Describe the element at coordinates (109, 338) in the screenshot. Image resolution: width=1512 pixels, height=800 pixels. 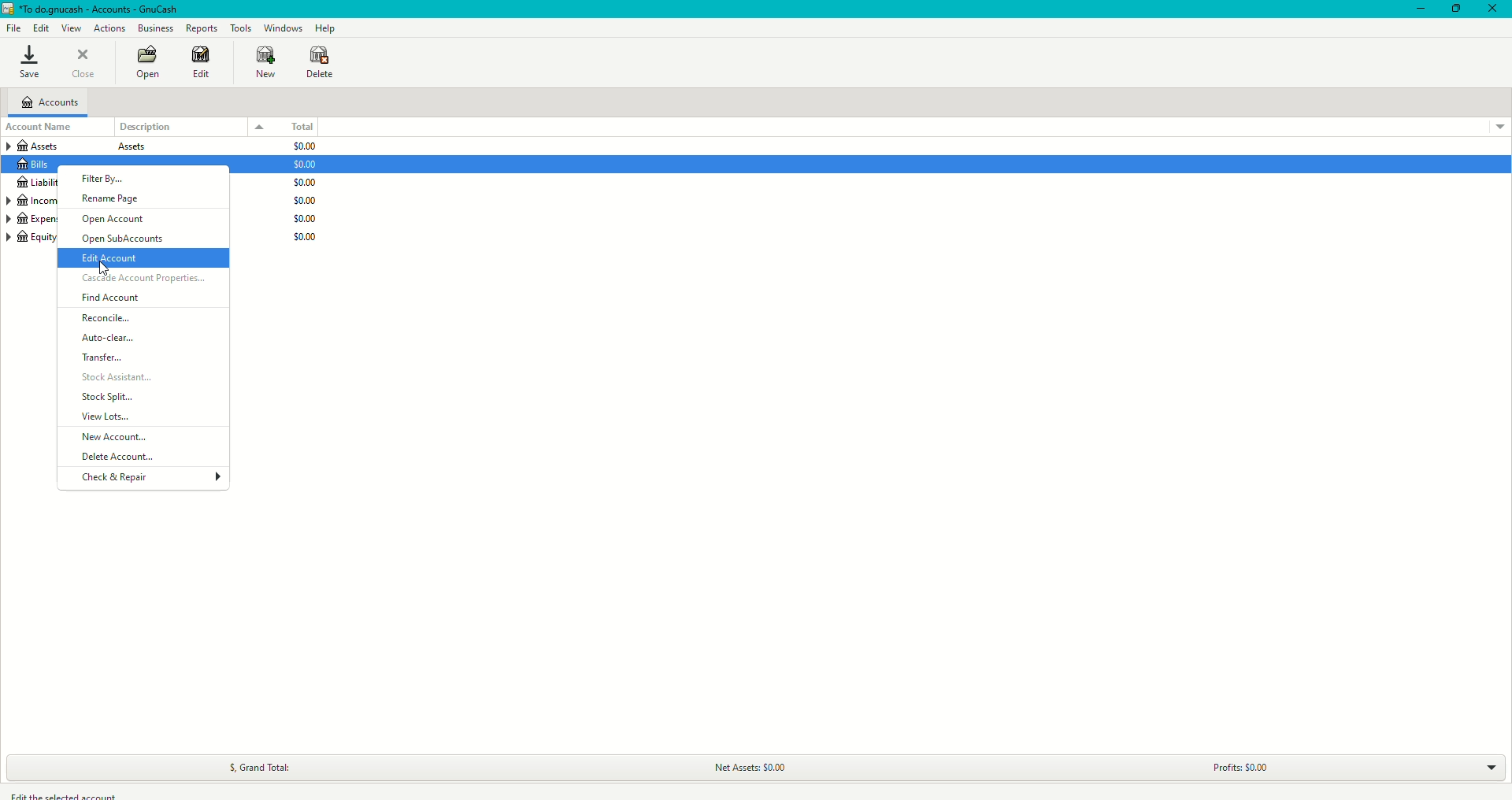
I see `Auto-clear` at that location.